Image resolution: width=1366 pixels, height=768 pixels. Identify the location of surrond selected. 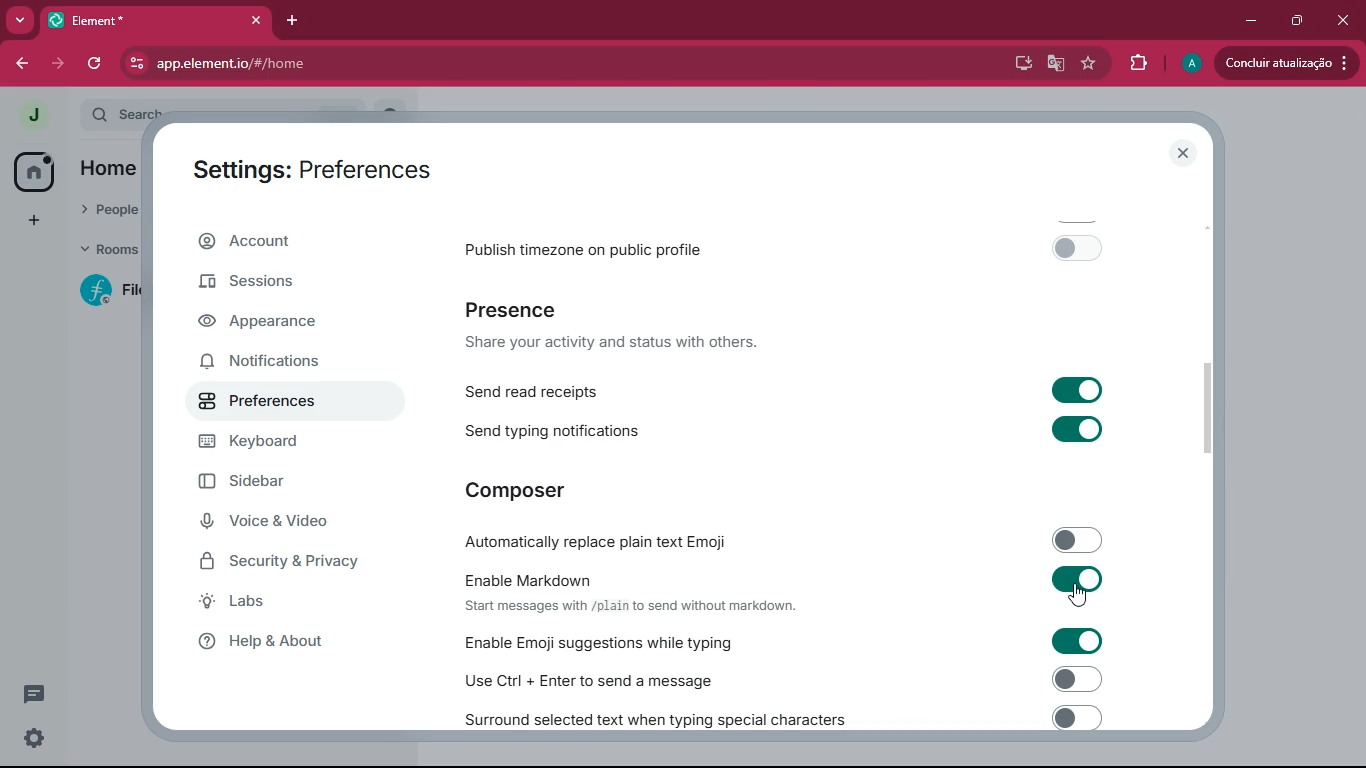
(779, 717).